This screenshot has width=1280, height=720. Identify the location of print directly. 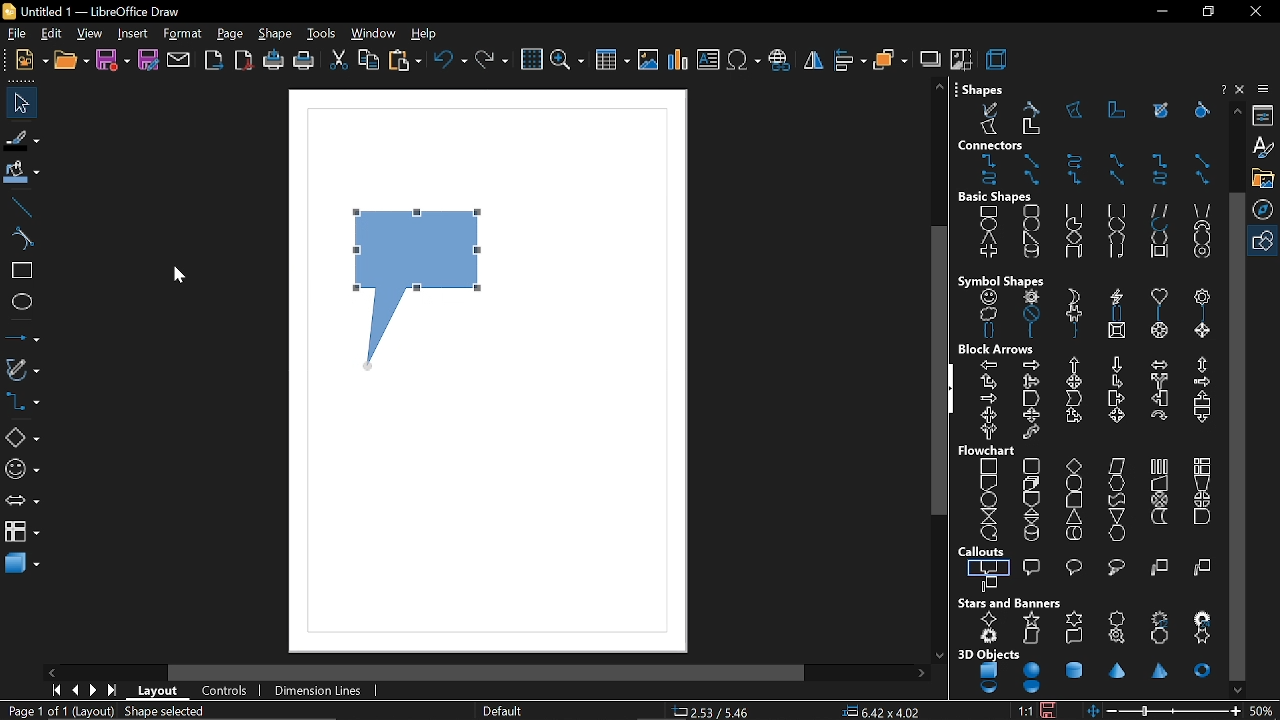
(274, 62).